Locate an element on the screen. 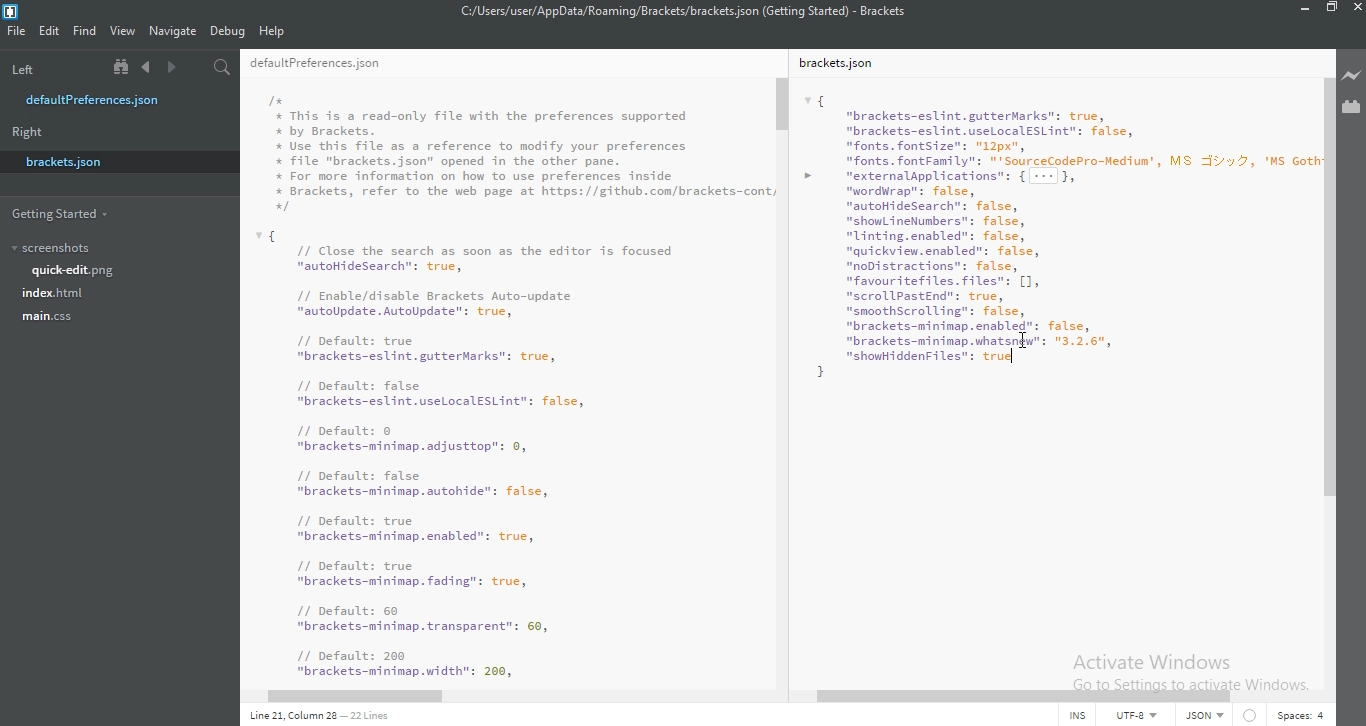  Activate Windows
Go to Settings to activate Windows. is located at coordinates (1188, 665).